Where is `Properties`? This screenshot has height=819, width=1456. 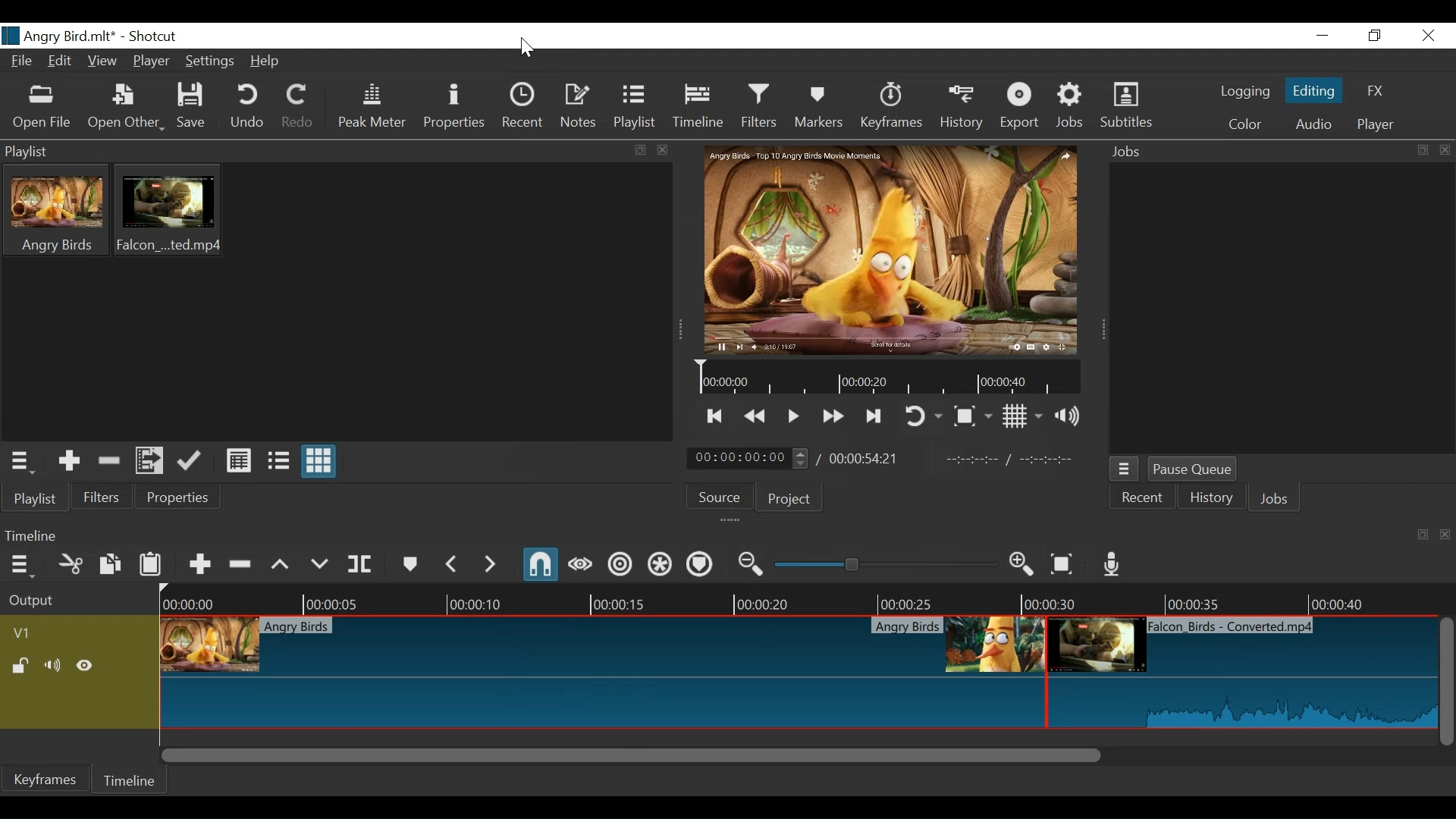 Properties is located at coordinates (176, 497).